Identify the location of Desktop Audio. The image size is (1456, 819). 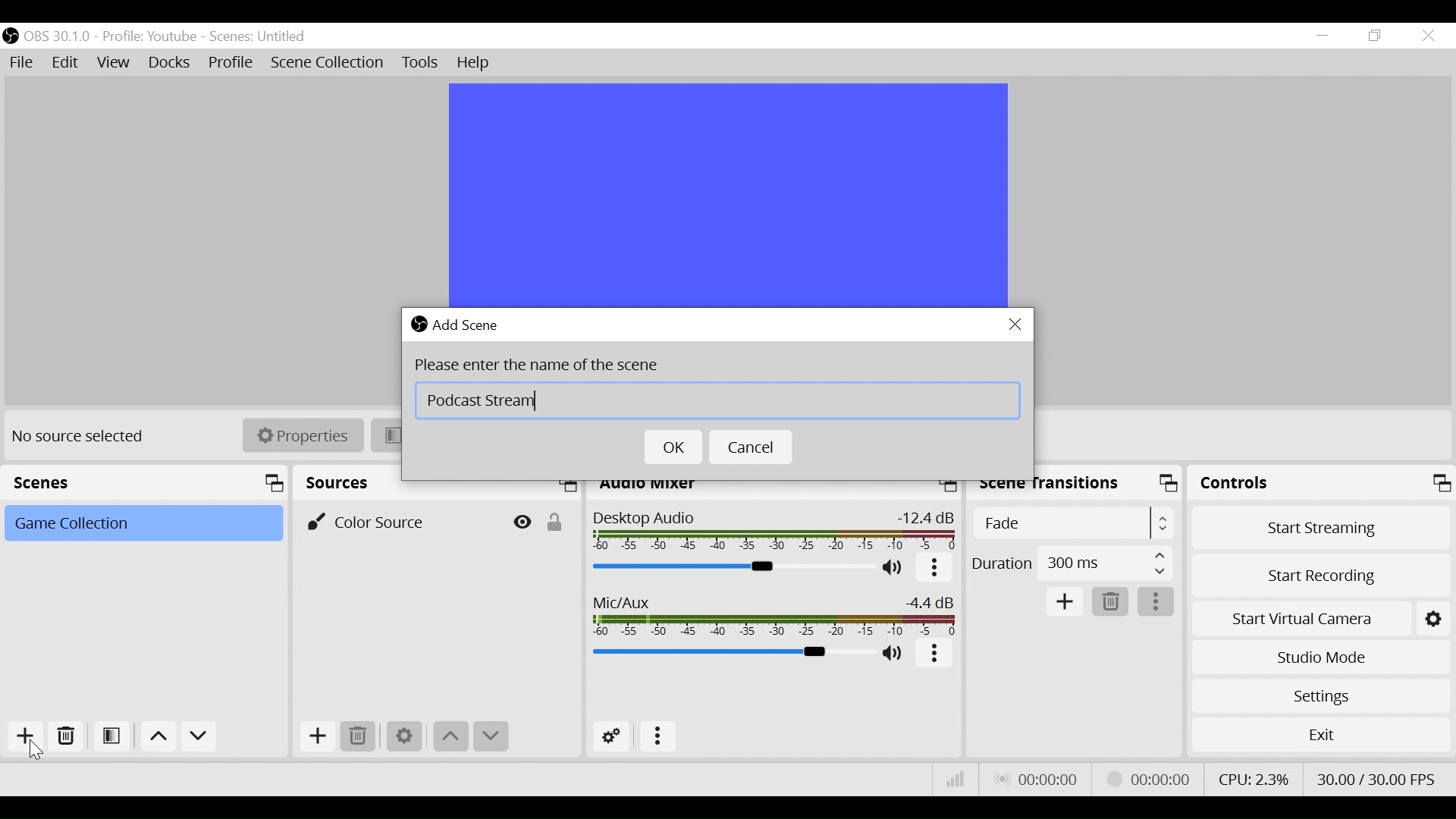
(775, 532).